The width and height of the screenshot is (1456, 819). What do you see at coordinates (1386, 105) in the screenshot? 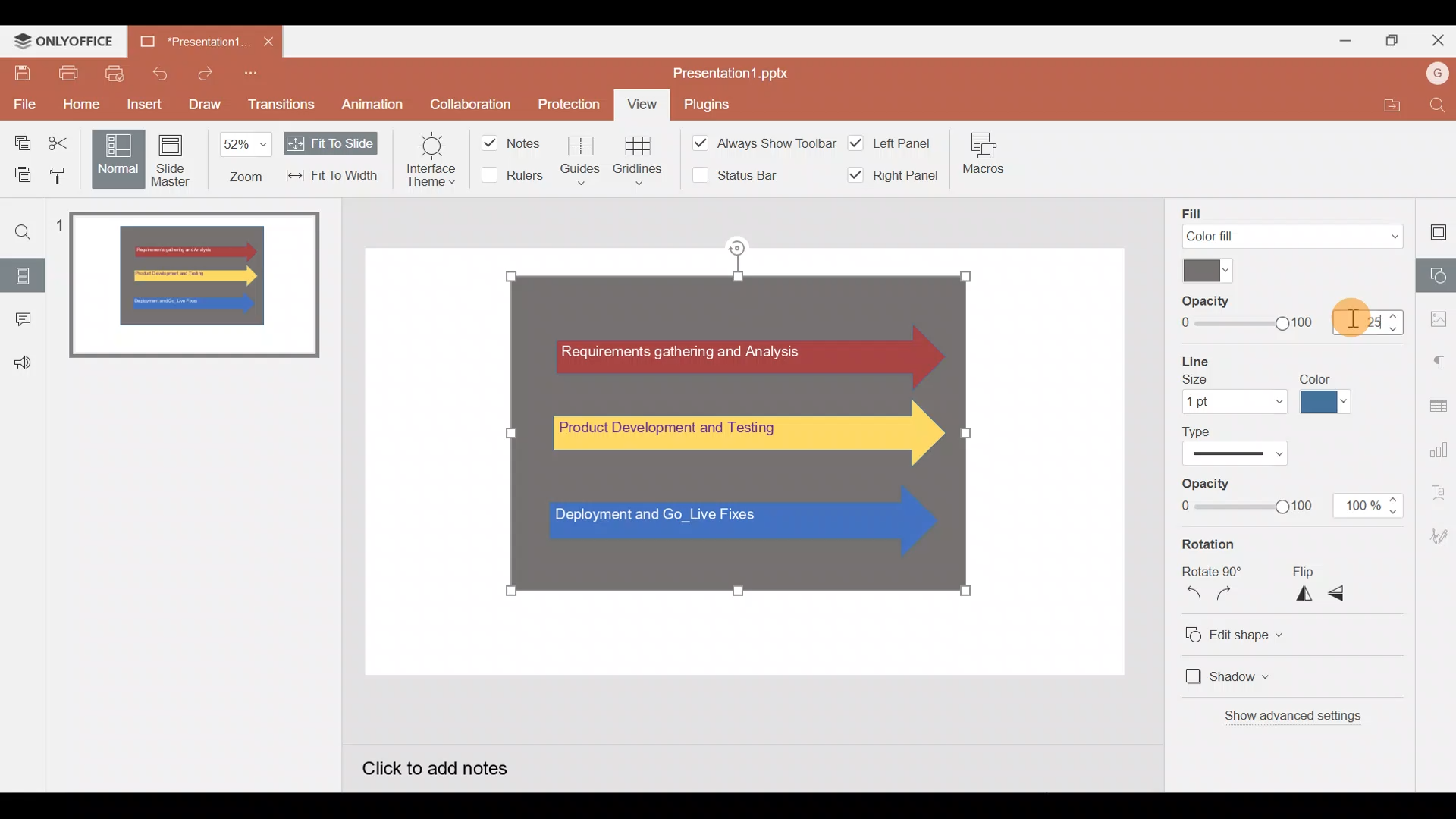
I see `Open file location` at bounding box center [1386, 105].